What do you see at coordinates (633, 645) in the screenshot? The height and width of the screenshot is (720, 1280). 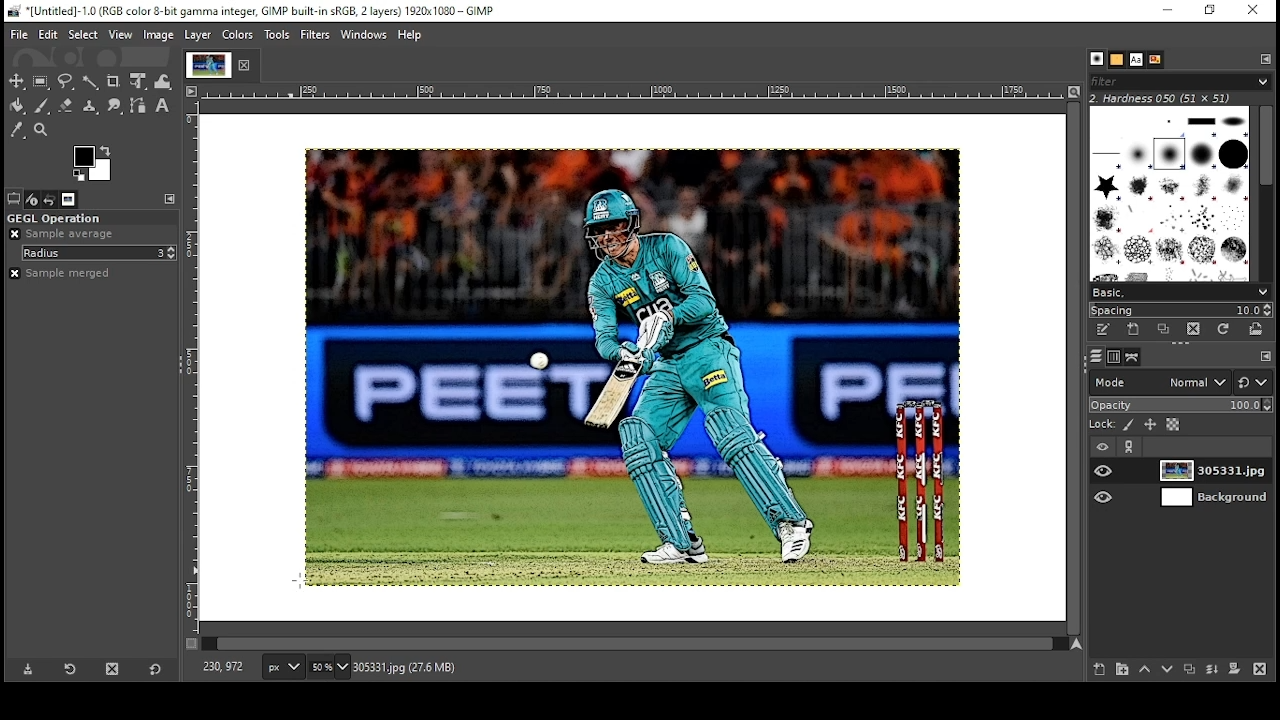 I see `scroll bar` at bounding box center [633, 645].